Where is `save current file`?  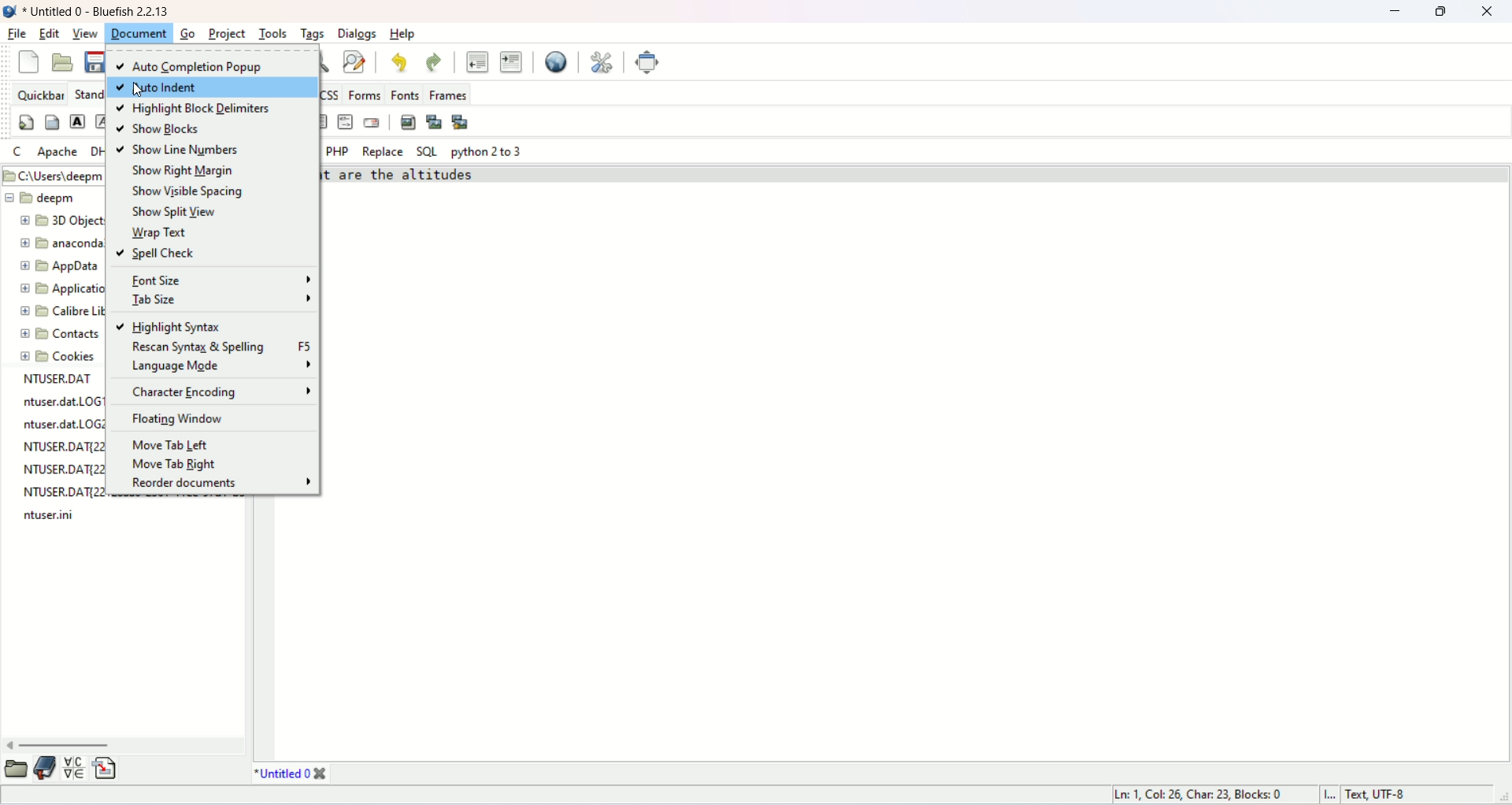 save current file is located at coordinates (91, 61).